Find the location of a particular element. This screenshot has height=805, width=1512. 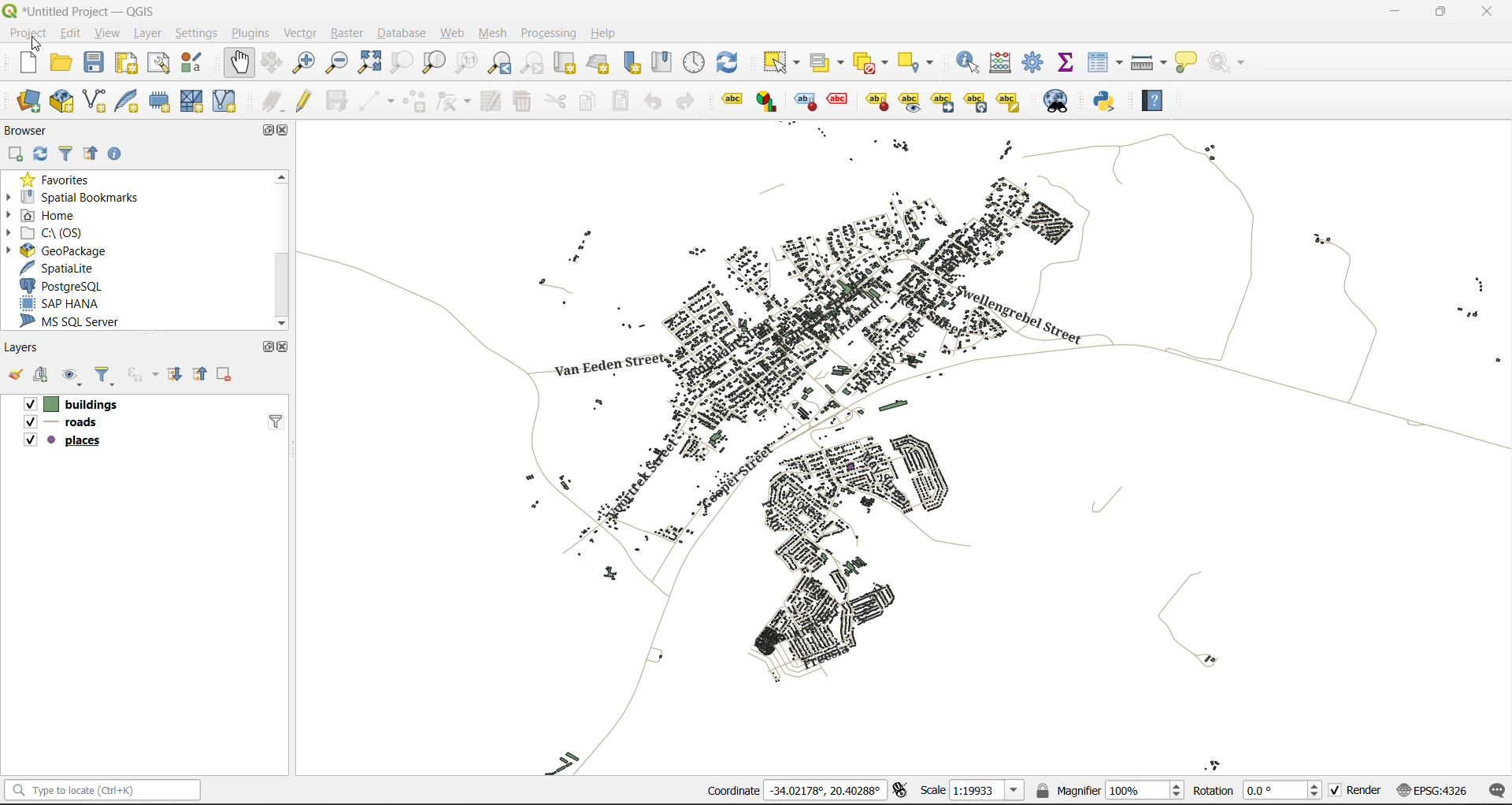

print layout is located at coordinates (124, 61).